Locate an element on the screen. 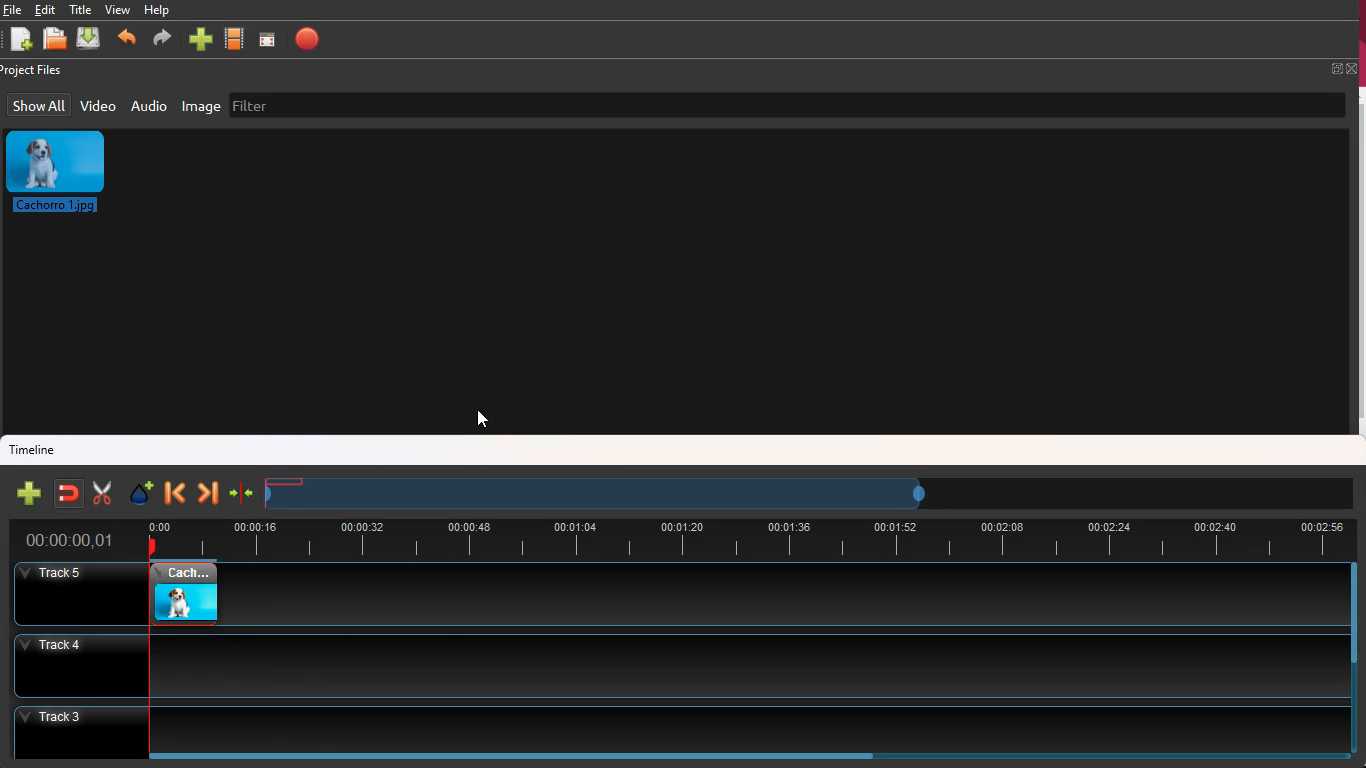 Image resolution: width=1366 pixels, height=768 pixels. project files is located at coordinates (34, 71).